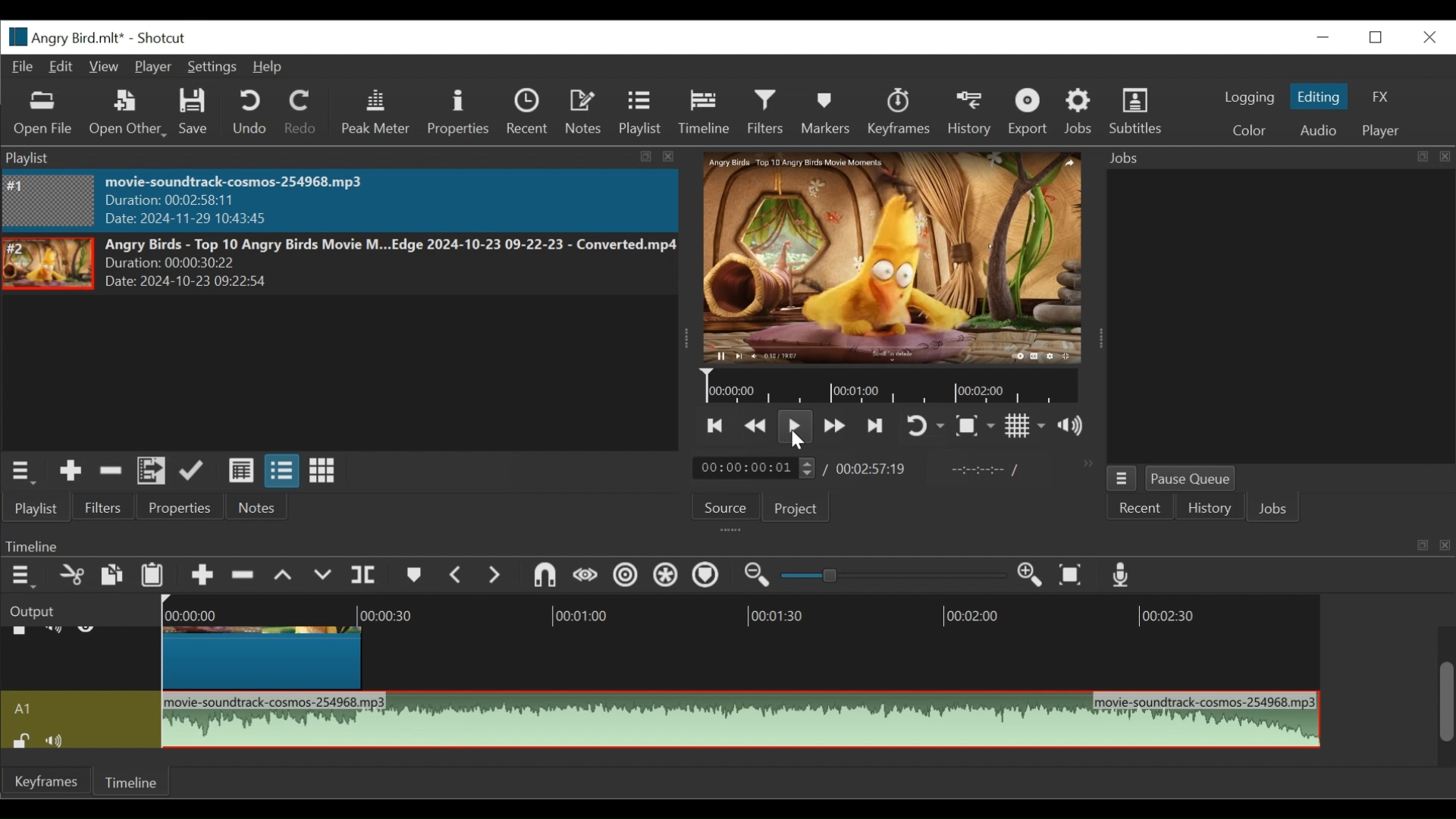  Describe the element at coordinates (268, 201) in the screenshot. I see `movie-soundtrack-cosmos-254968.mp3
Duration: 00:02:58:11
Date: 2024-11-29 10:43:45` at that location.